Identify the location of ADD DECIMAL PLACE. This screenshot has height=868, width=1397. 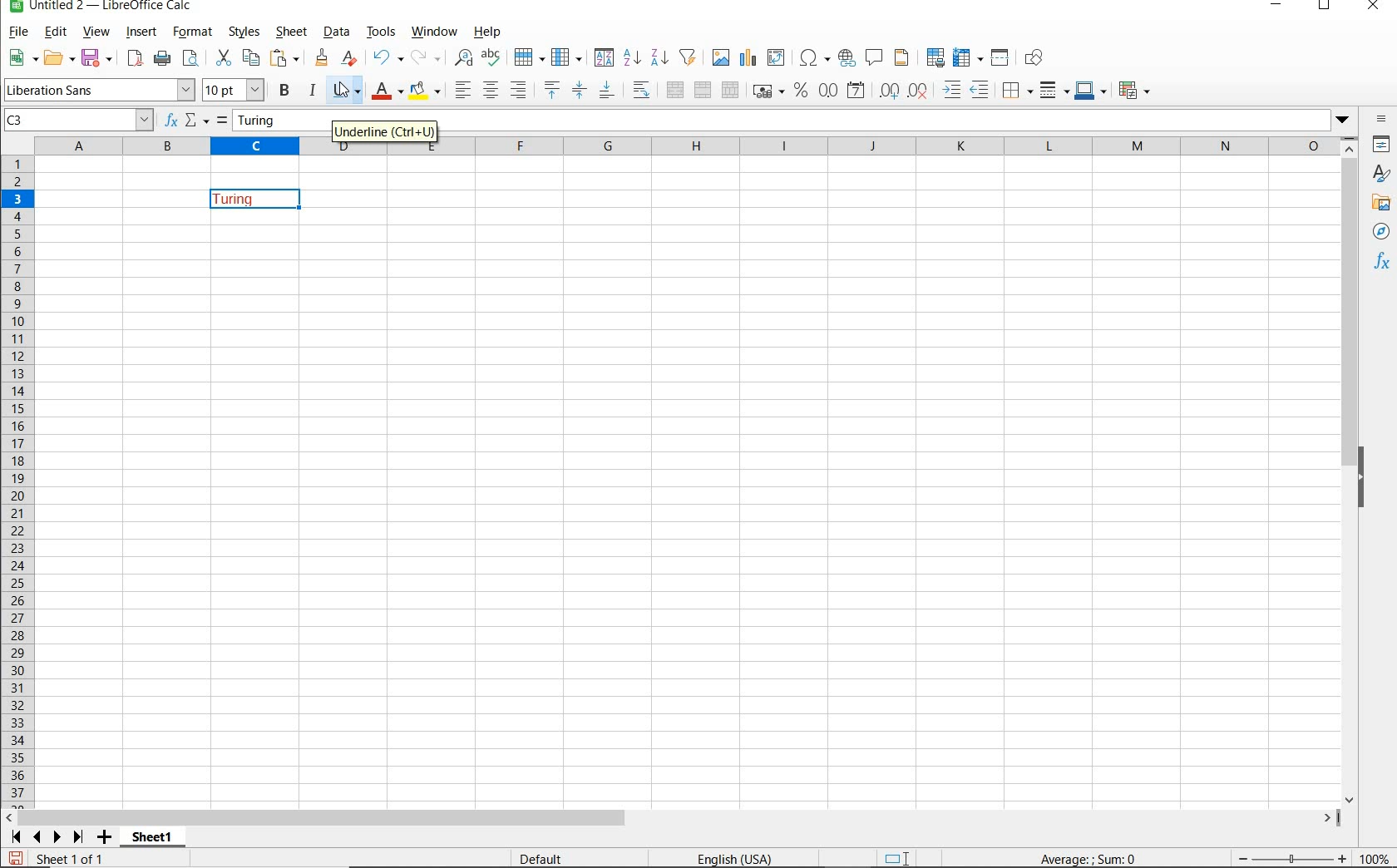
(889, 92).